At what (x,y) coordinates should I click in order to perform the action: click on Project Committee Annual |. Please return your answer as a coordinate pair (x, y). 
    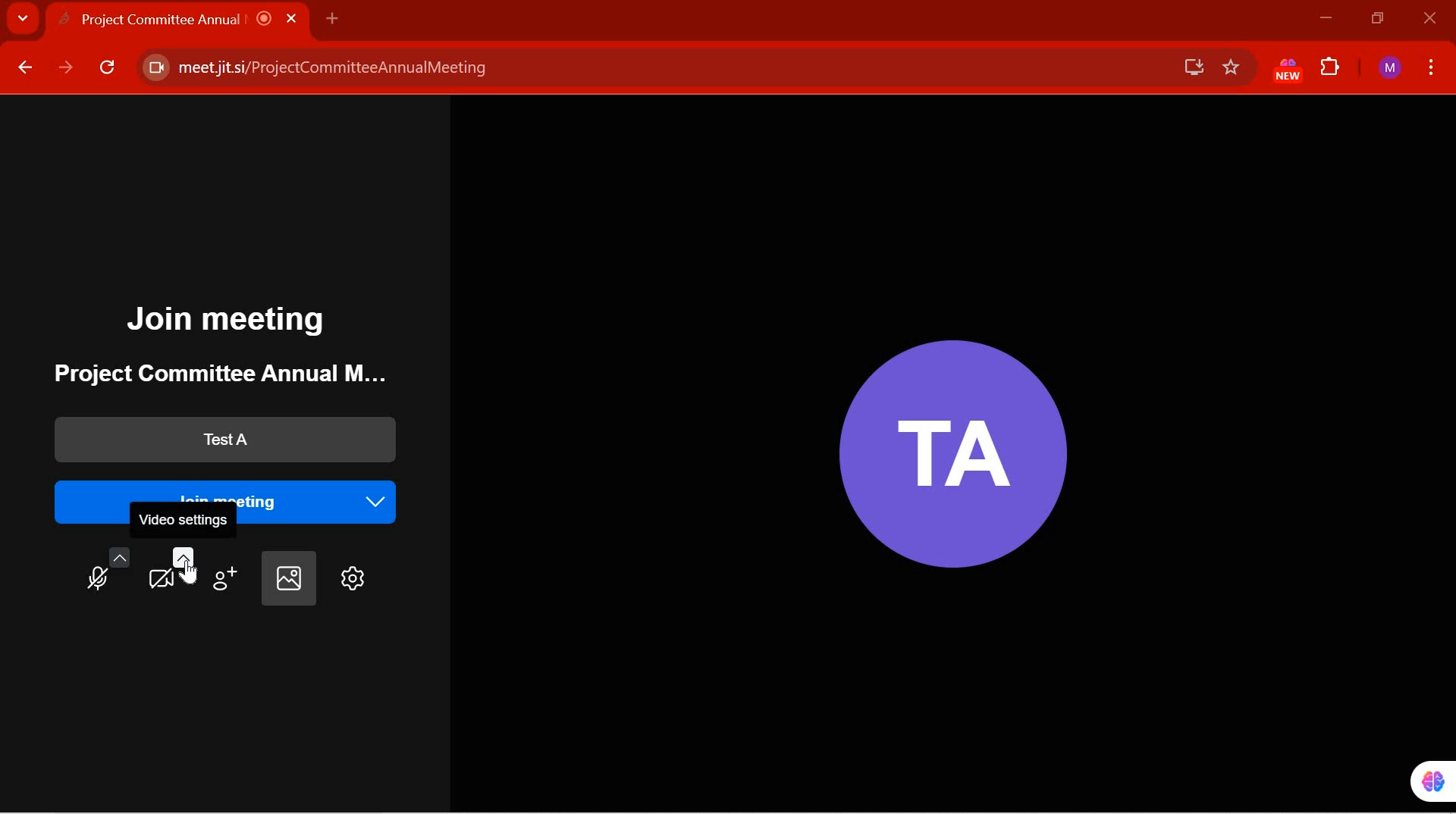
    Looking at the image, I should click on (191, 19).